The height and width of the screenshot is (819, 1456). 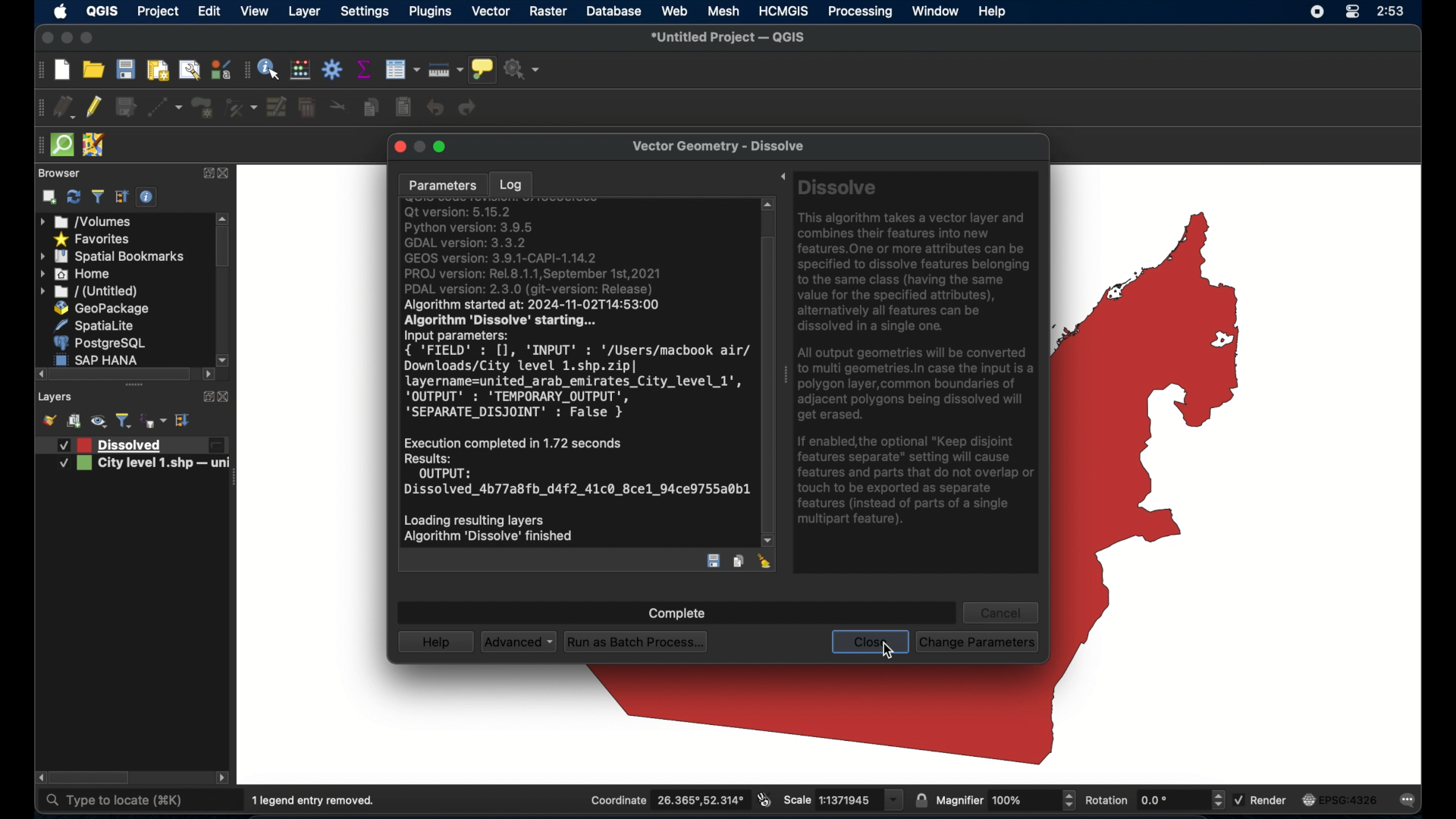 I want to click on add polygon feature, so click(x=202, y=106).